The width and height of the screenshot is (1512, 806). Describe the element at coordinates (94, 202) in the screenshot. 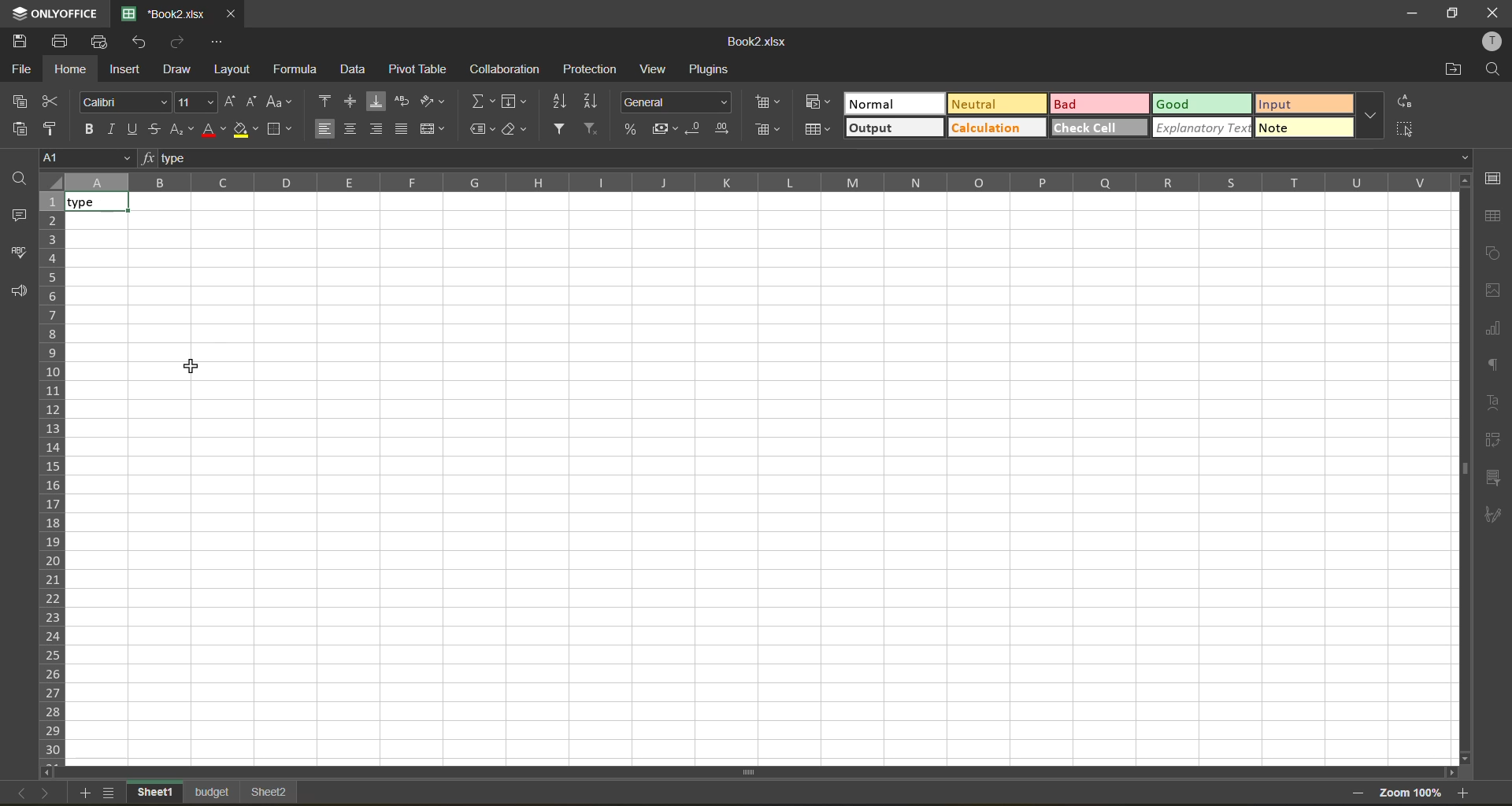

I see `text aligned left` at that location.